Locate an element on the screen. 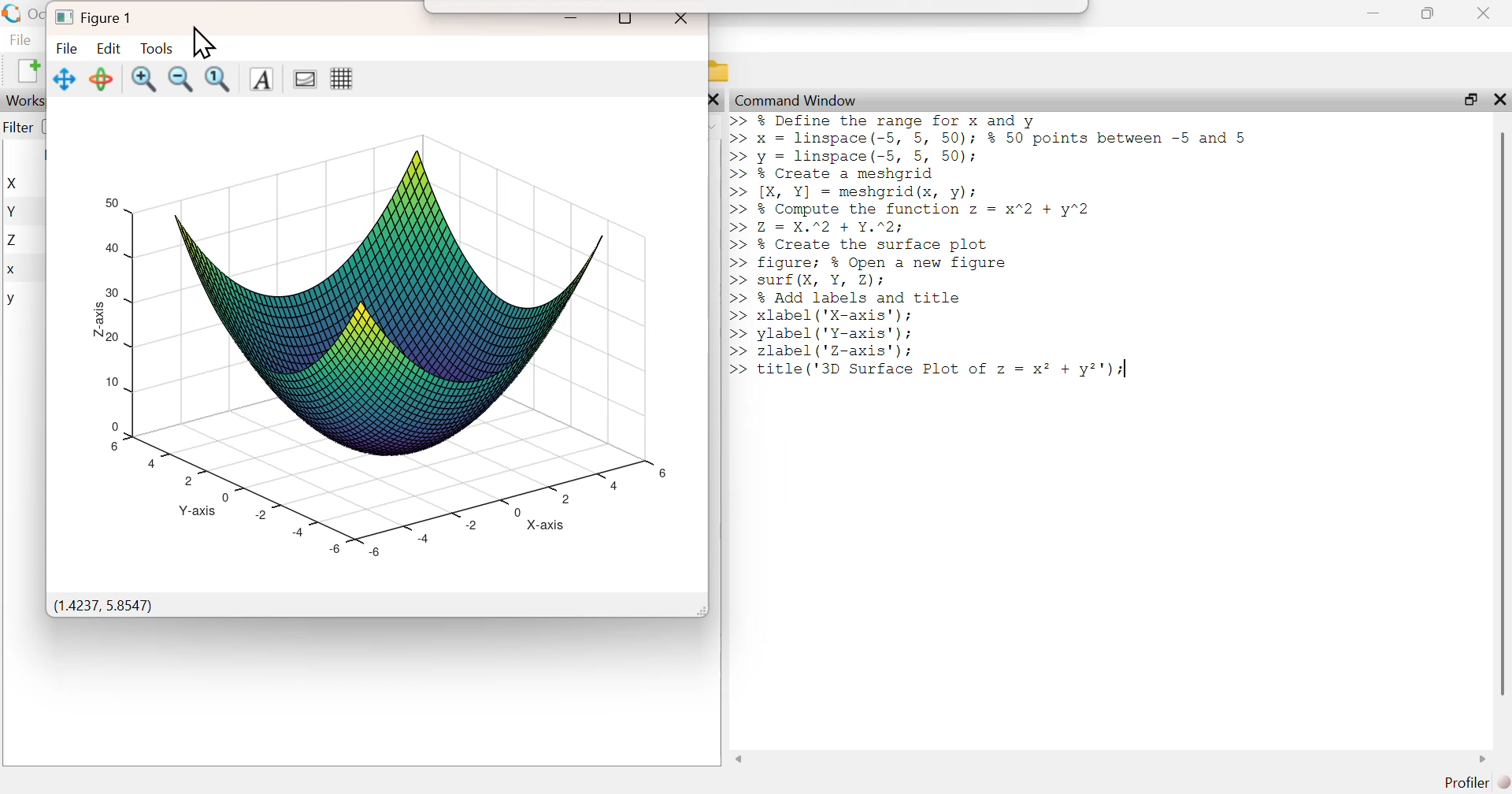 The height and width of the screenshot is (794, 1512). scroll left is located at coordinates (739, 759).